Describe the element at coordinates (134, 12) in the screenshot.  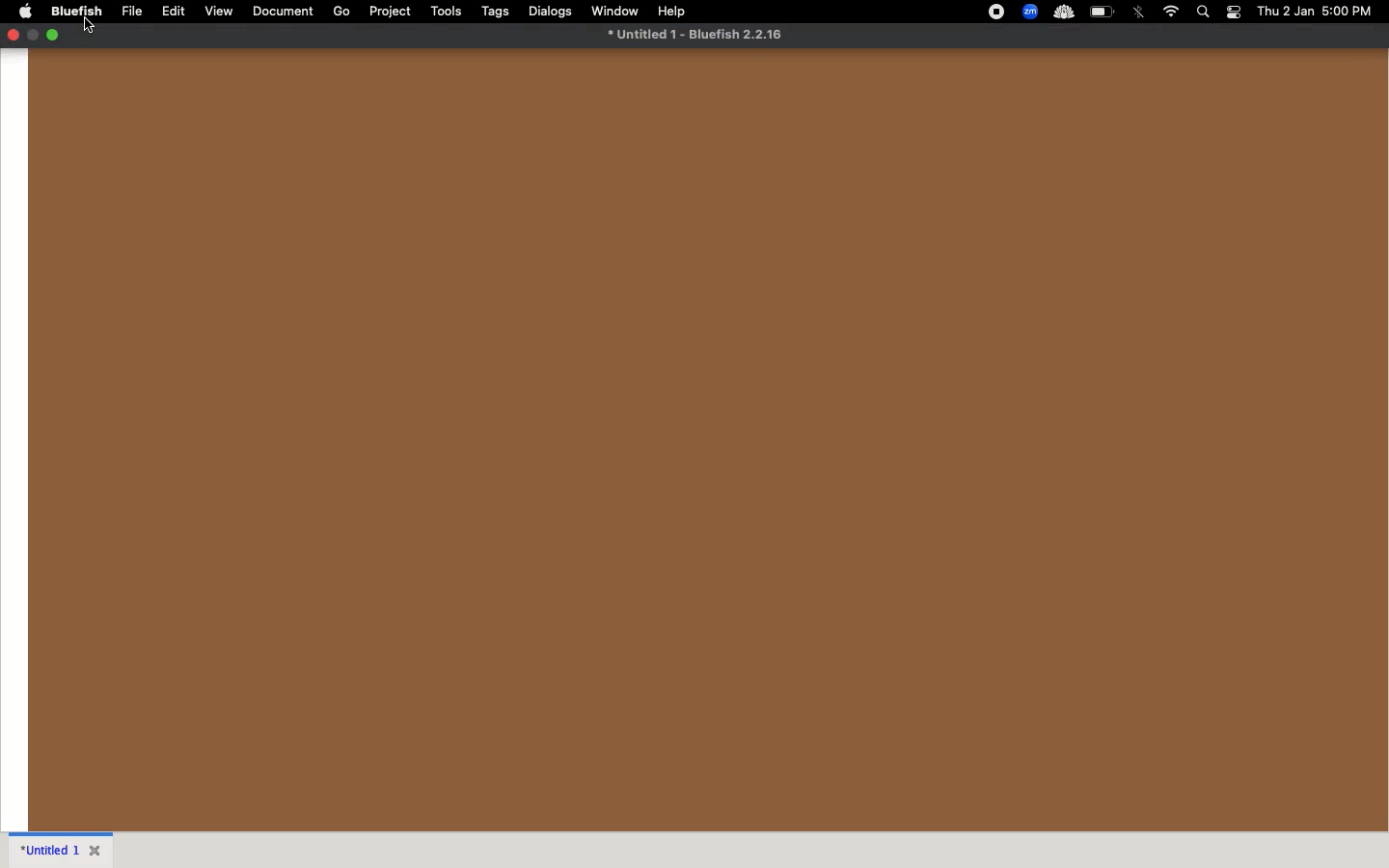
I see `file` at that location.